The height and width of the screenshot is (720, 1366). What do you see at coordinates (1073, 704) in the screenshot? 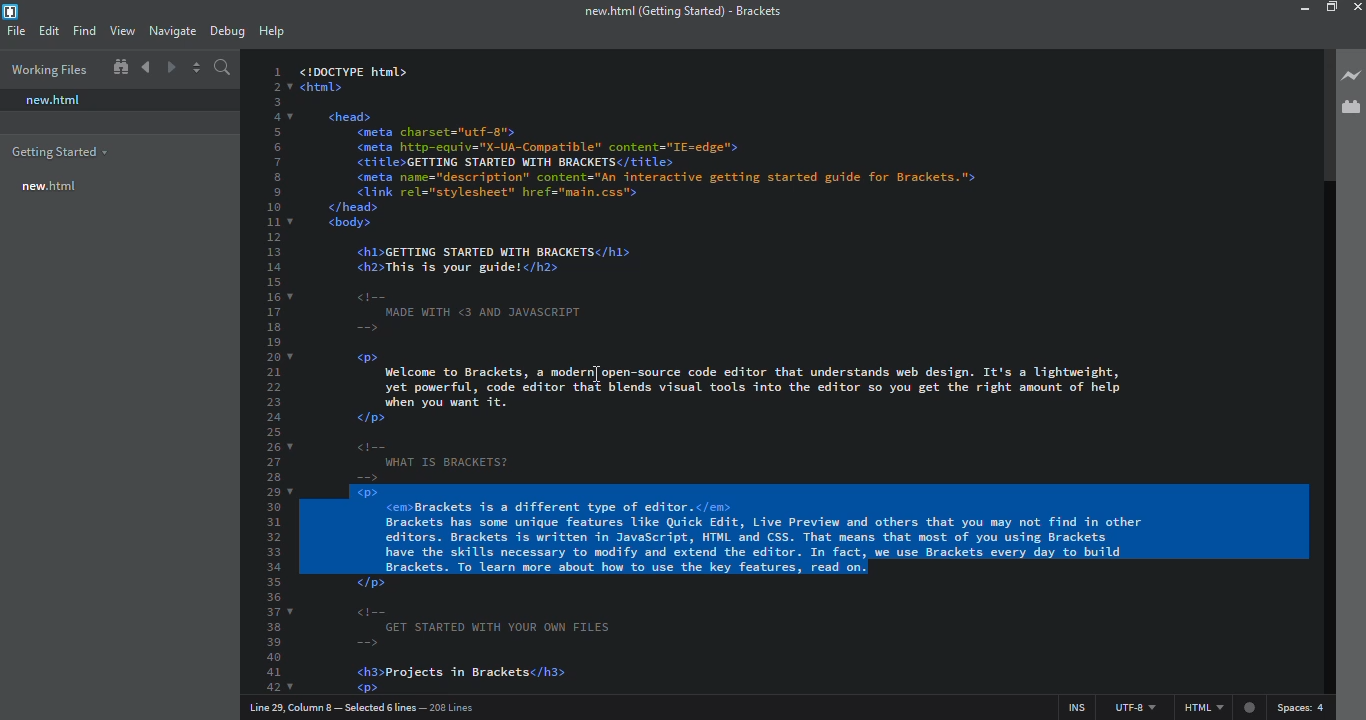
I see `ins` at bounding box center [1073, 704].